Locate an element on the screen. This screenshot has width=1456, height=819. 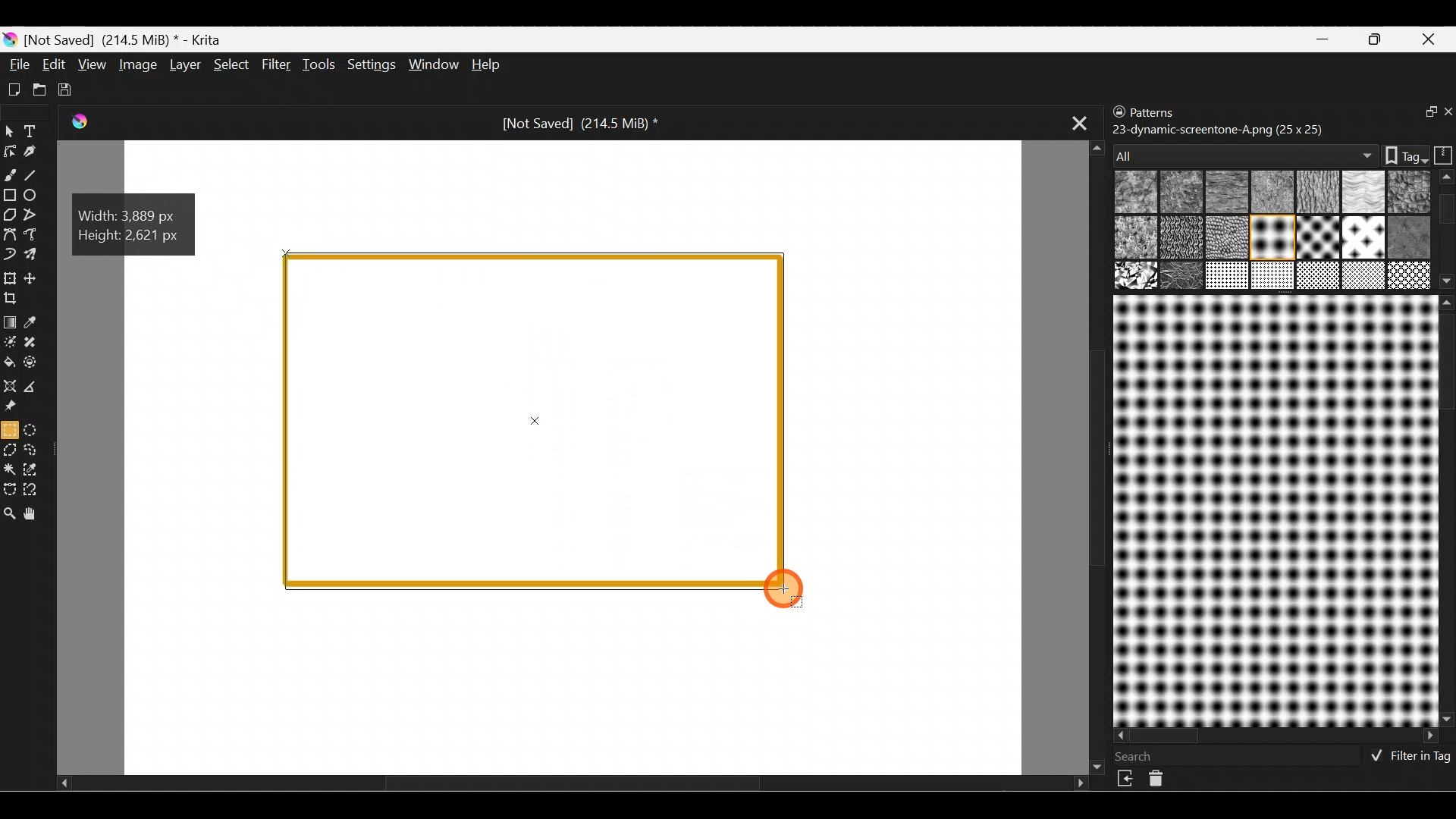
03 default-paper.png is located at coordinates (1269, 193).